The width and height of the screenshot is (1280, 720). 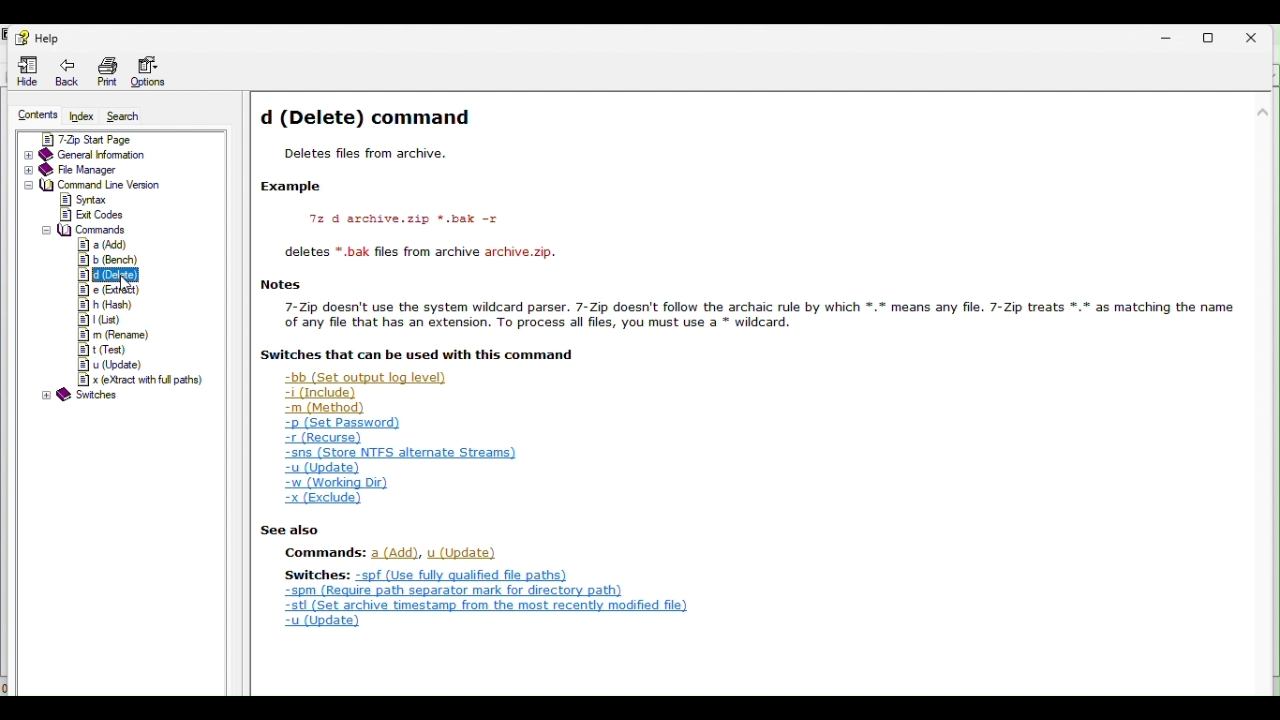 What do you see at coordinates (38, 38) in the screenshot?
I see `help` at bounding box center [38, 38].